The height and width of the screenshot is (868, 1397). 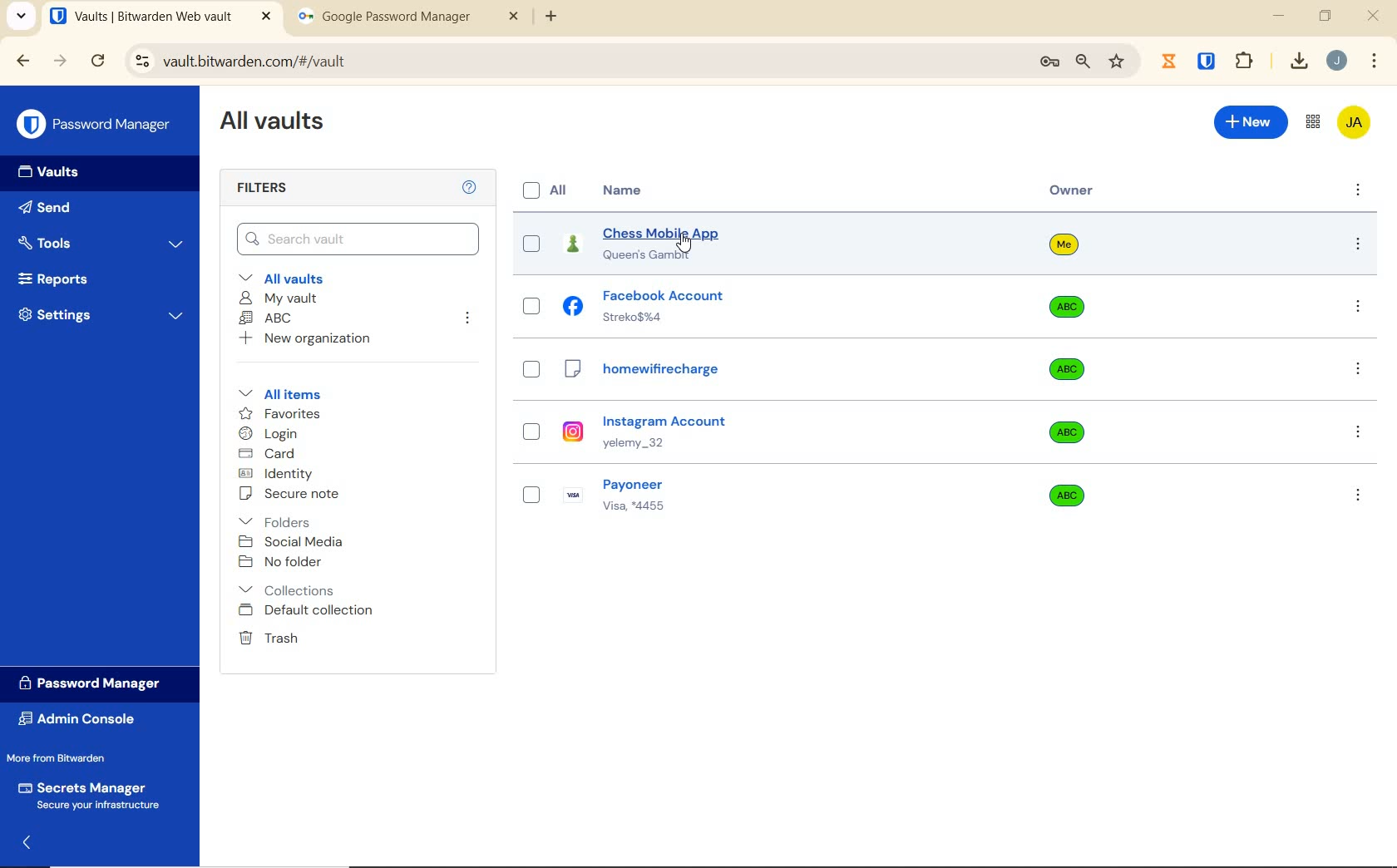 What do you see at coordinates (282, 413) in the screenshot?
I see `favorites` at bounding box center [282, 413].